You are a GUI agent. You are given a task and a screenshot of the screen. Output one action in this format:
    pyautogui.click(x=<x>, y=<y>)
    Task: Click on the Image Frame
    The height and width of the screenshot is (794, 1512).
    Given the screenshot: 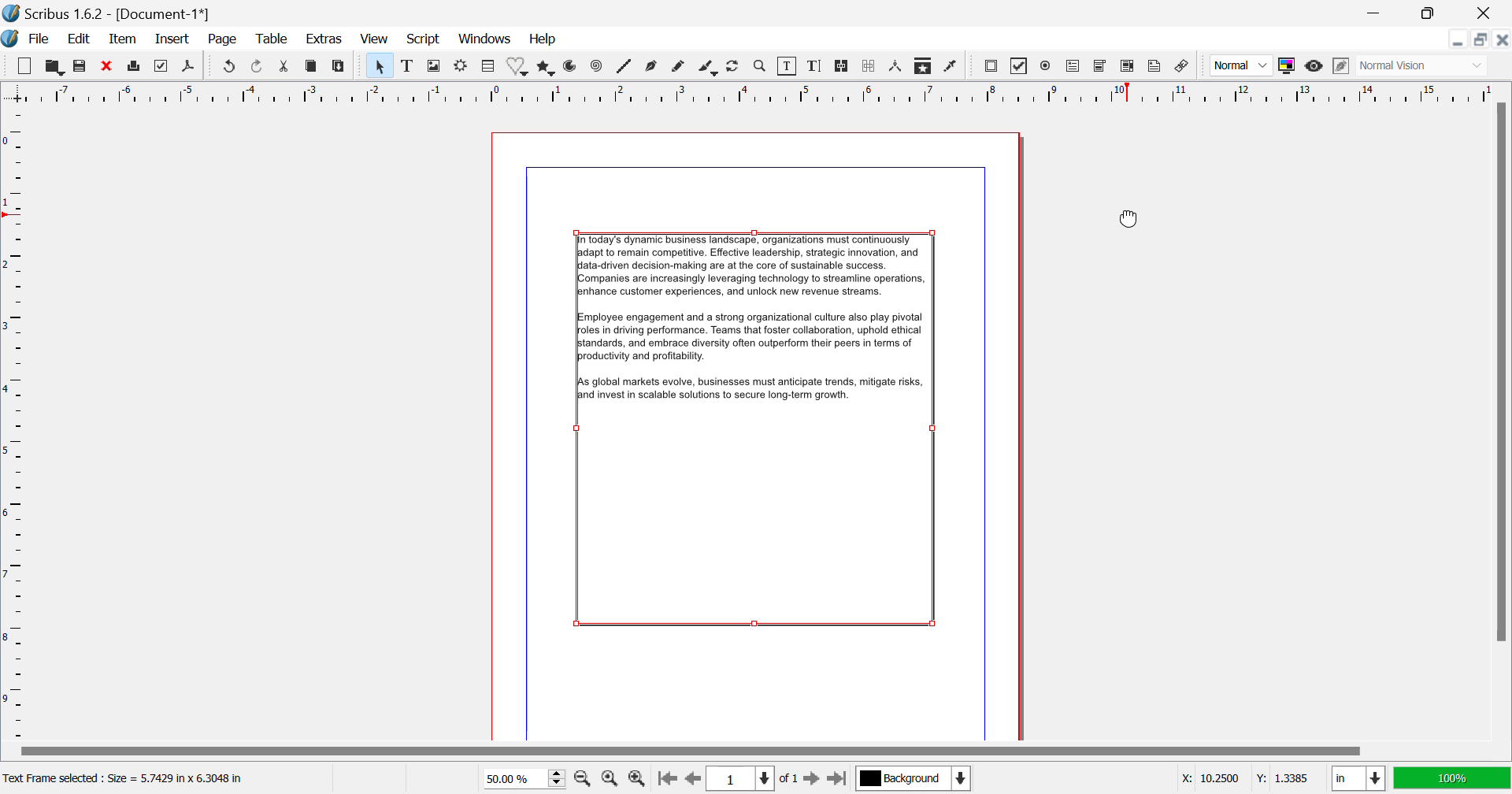 What is the action you would take?
    pyautogui.click(x=435, y=66)
    